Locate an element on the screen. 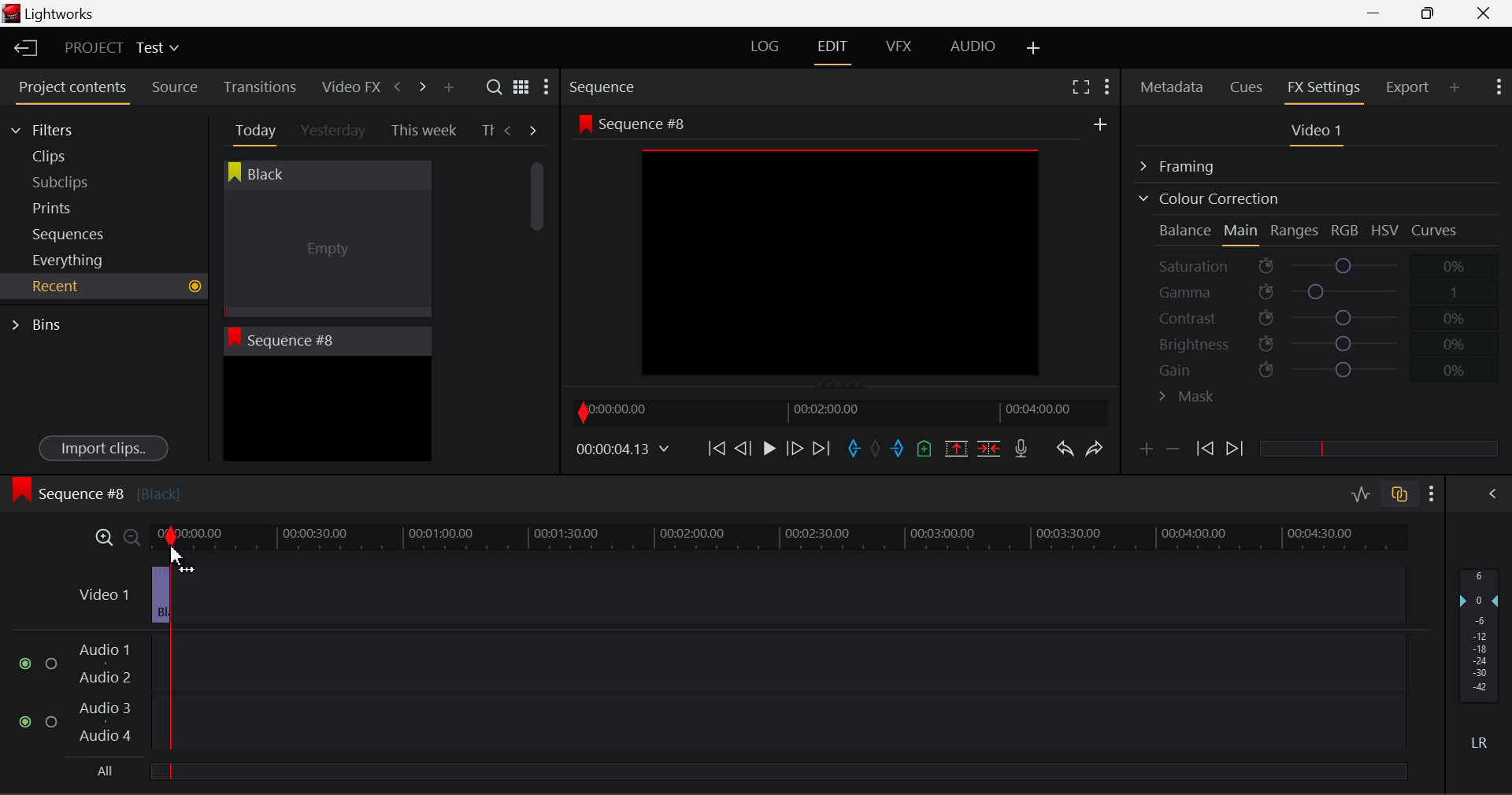 Image resolution: width=1512 pixels, height=795 pixels. Mark Out is located at coordinates (899, 449).